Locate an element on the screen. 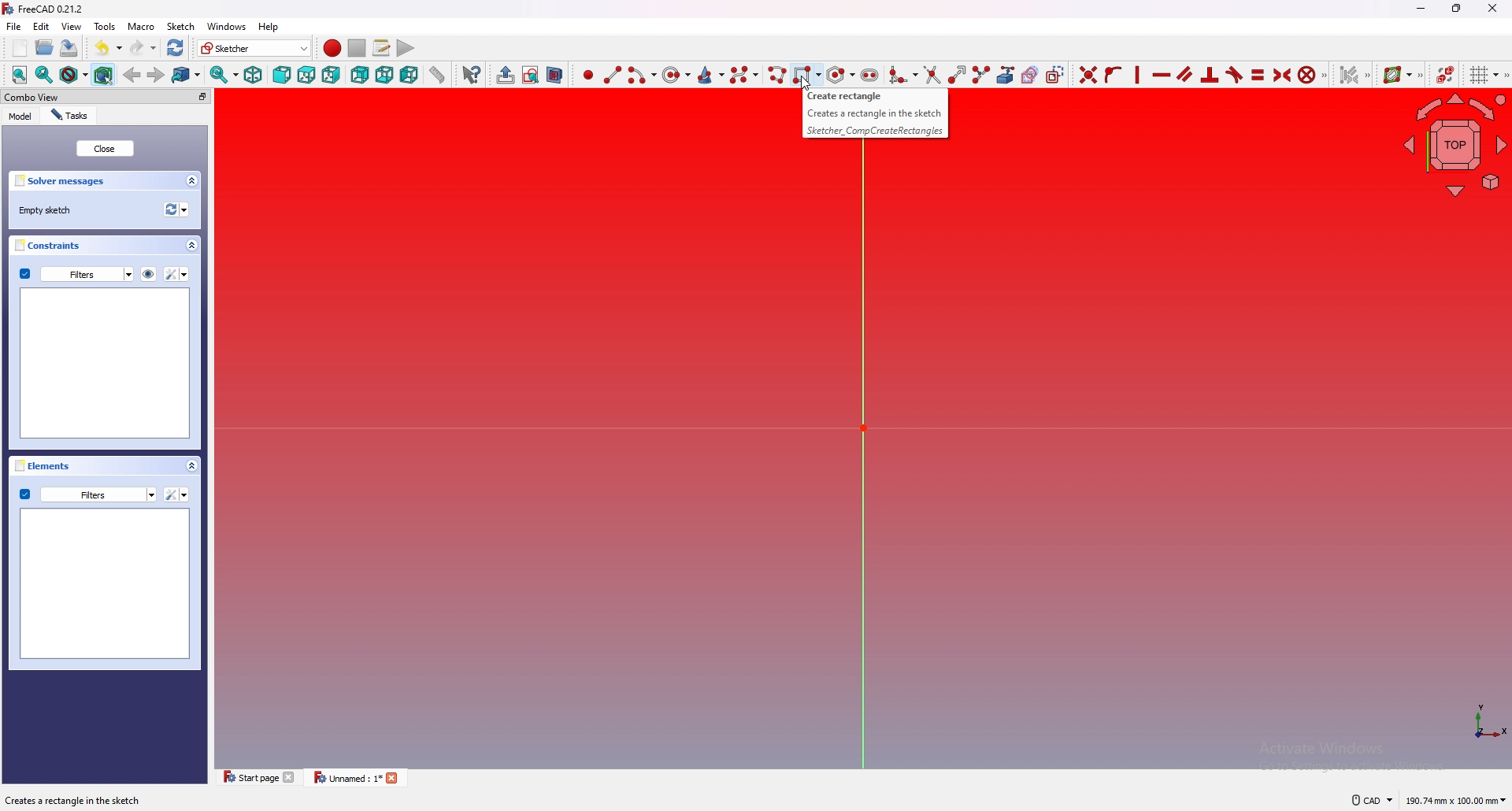 Image resolution: width=1512 pixels, height=811 pixels. model is located at coordinates (21, 117).